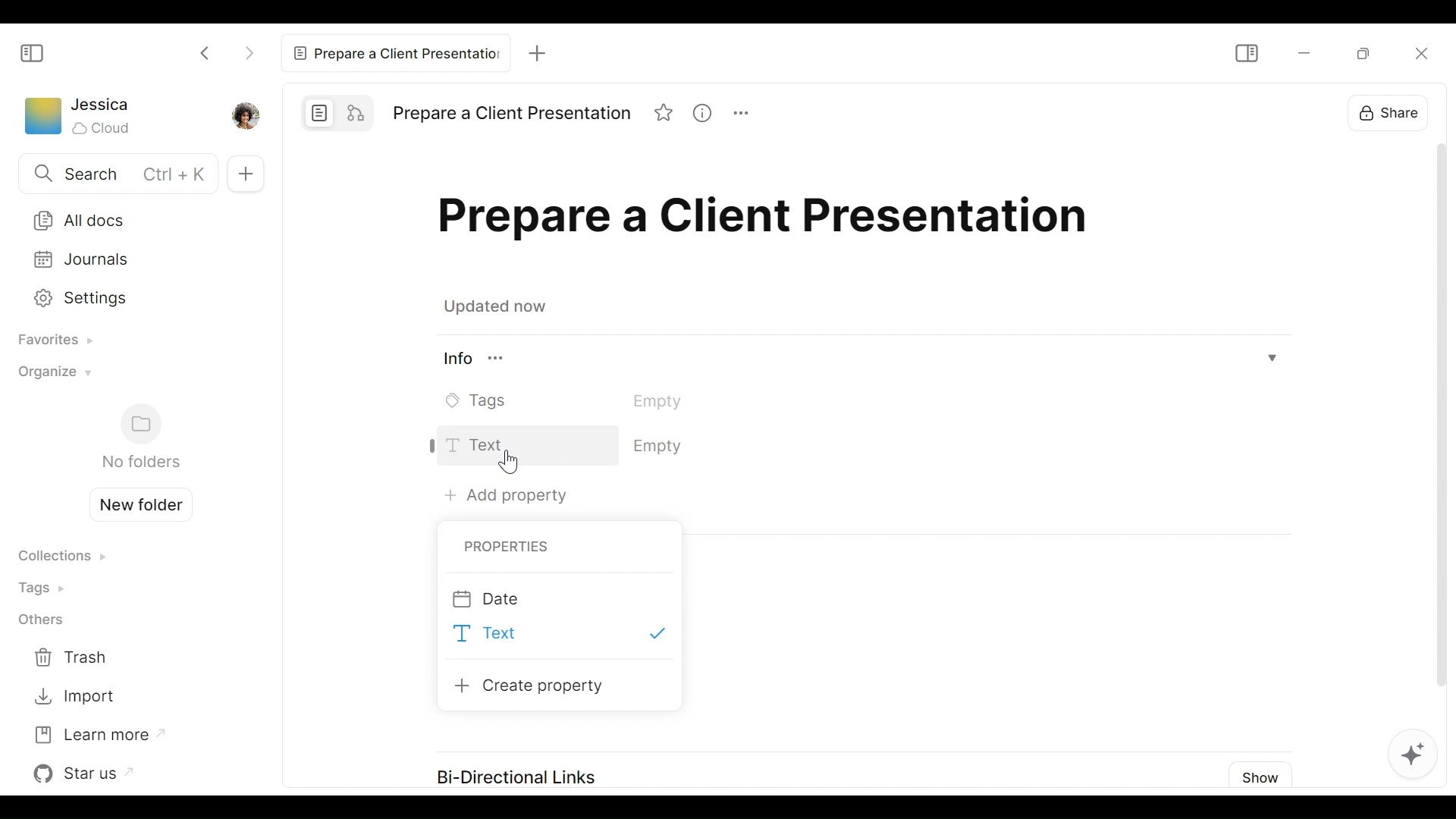  What do you see at coordinates (74, 697) in the screenshot?
I see `Import` at bounding box center [74, 697].